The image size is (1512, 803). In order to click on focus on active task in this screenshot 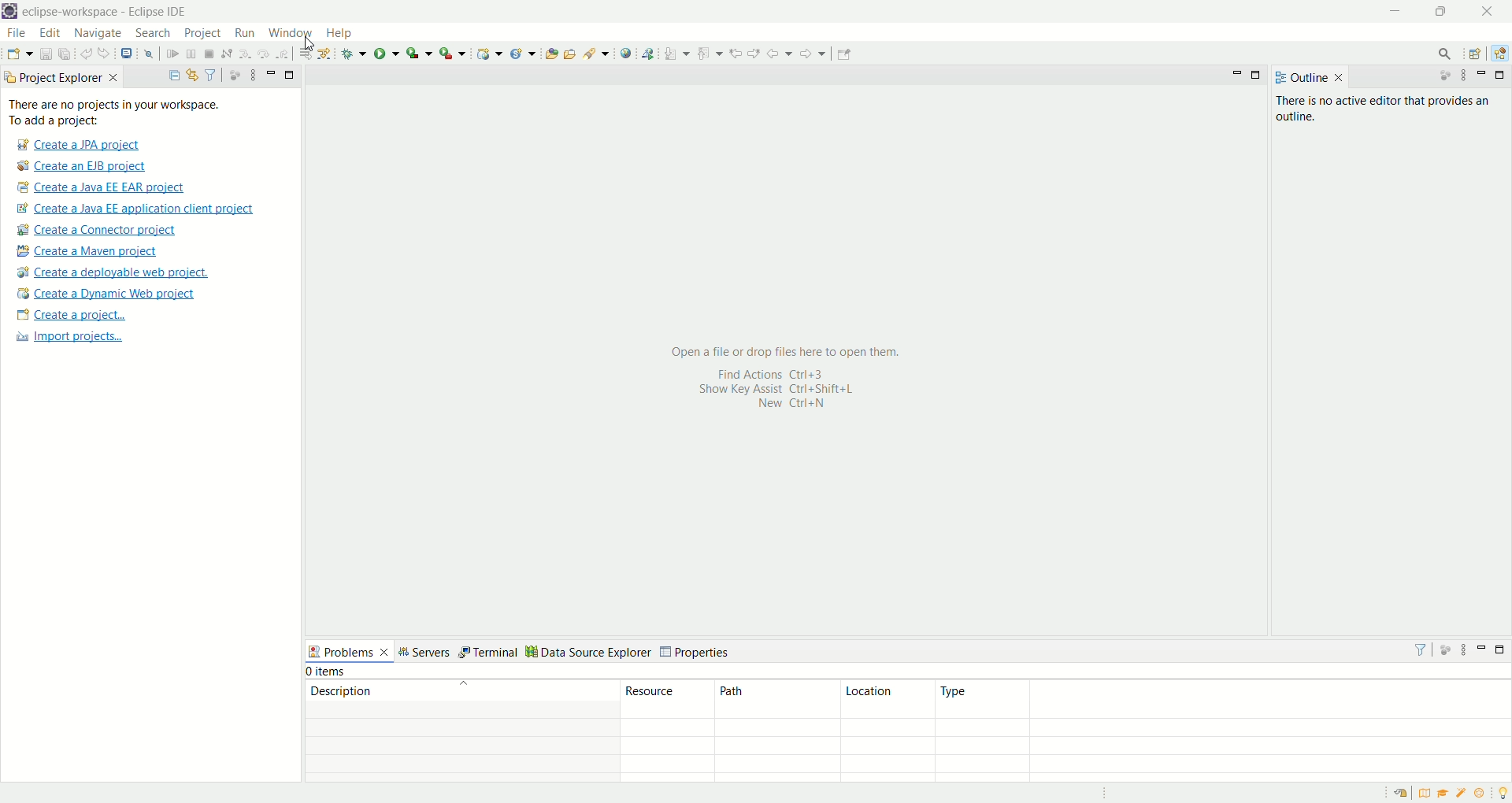, I will do `click(1447, 76)`.